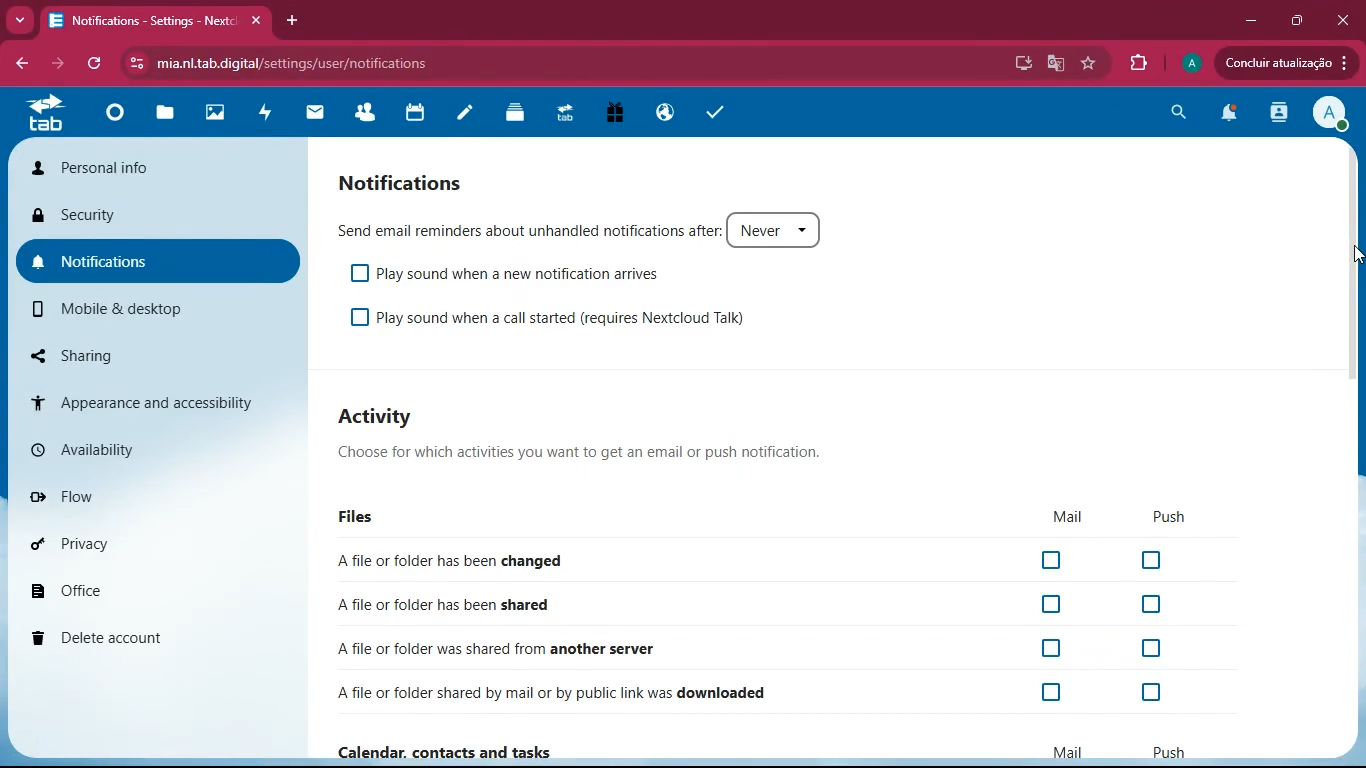 This screenshot has width=1366, height=768. Describe the element at coordinates (141, 21) in the screenshot. I see `tab` at that location.